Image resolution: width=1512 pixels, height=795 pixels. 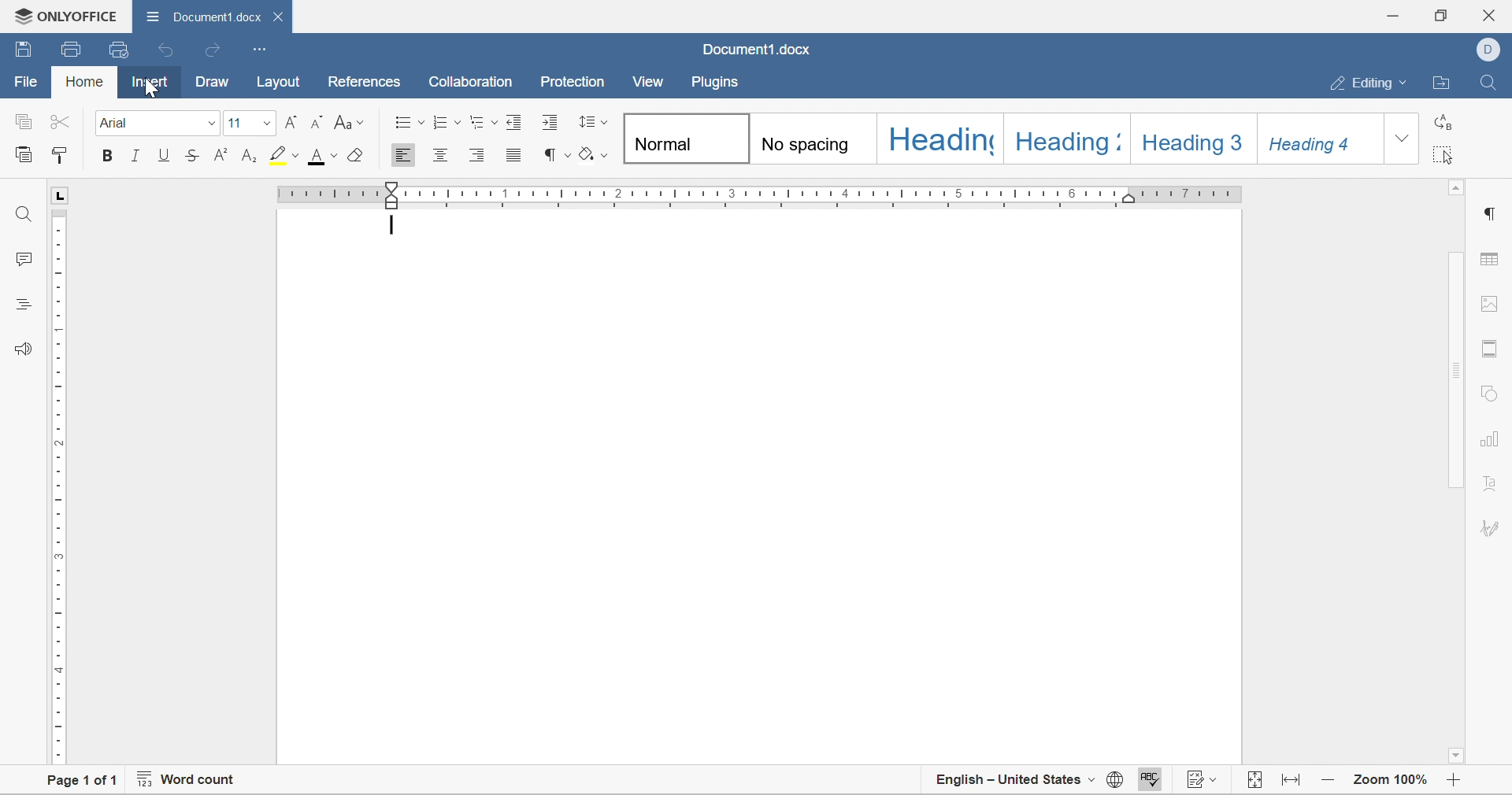 What do you see at coordinates (483, 121) in the screenshot?
I see `Multi level list` at bounding box center [483, 121].